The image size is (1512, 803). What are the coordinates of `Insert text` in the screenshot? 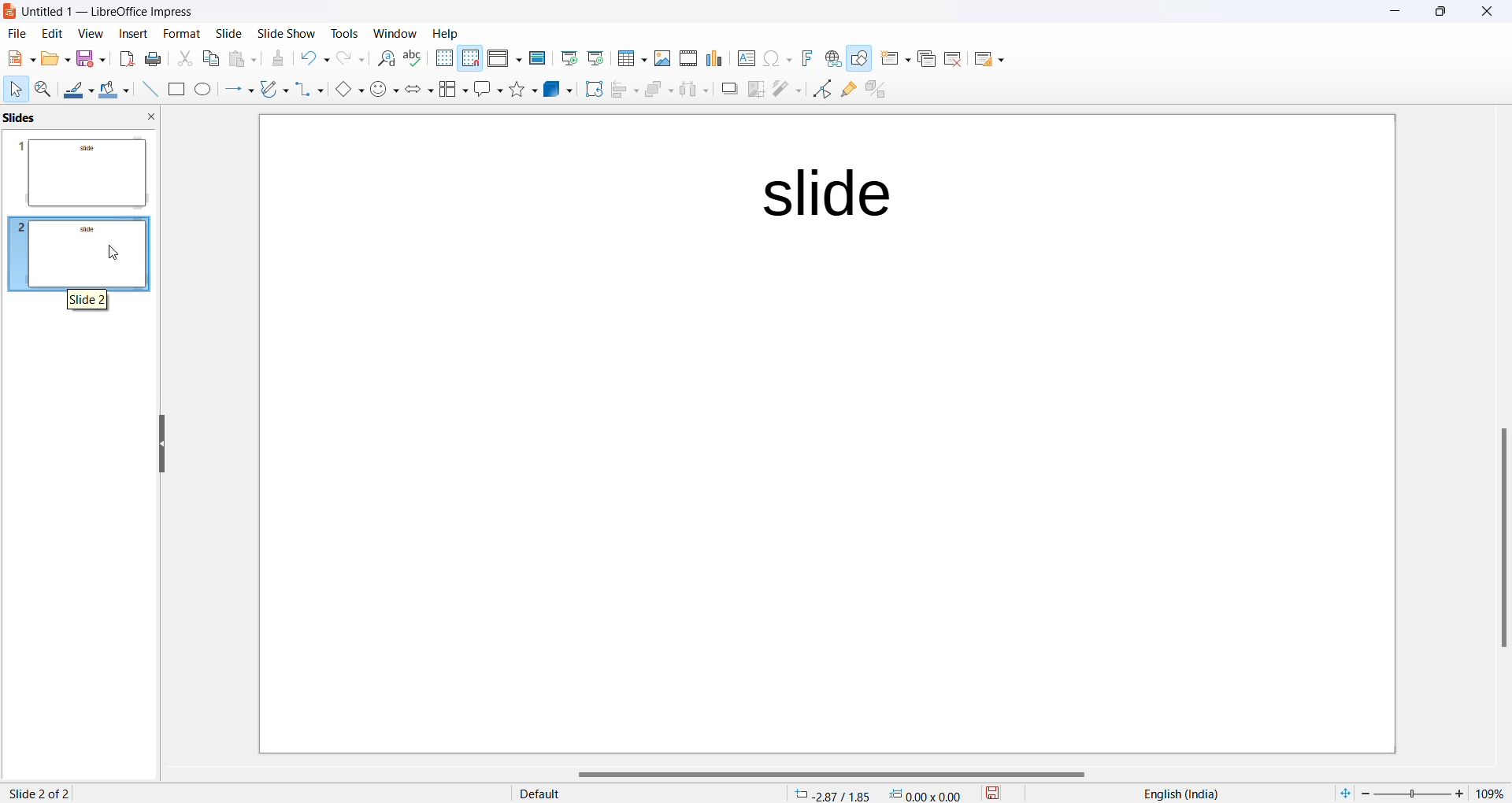 It's located at (740, 57).